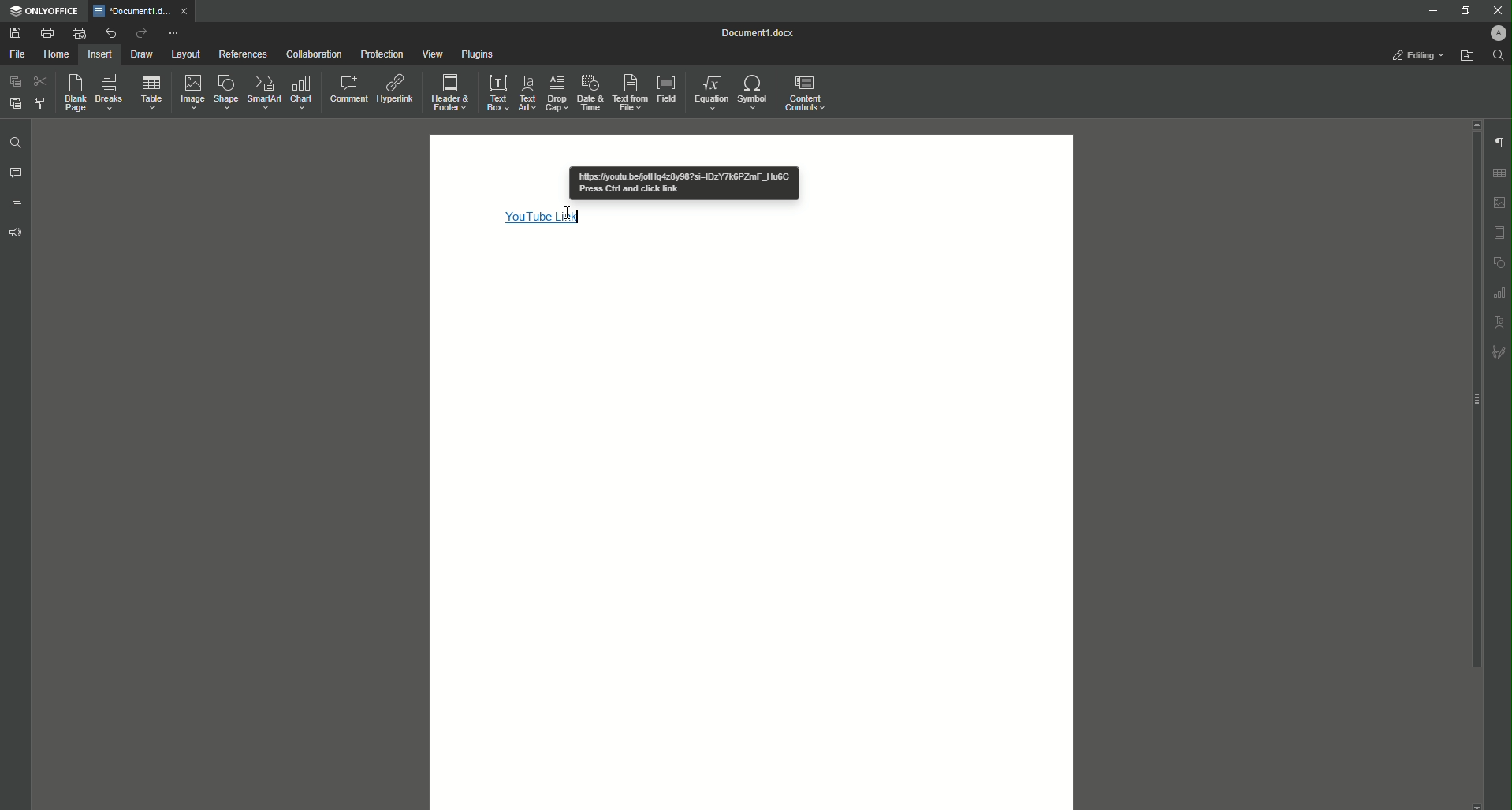 The width and height of the screenshot is (1512, 810). I want to click on Equation, so click(711, 92).